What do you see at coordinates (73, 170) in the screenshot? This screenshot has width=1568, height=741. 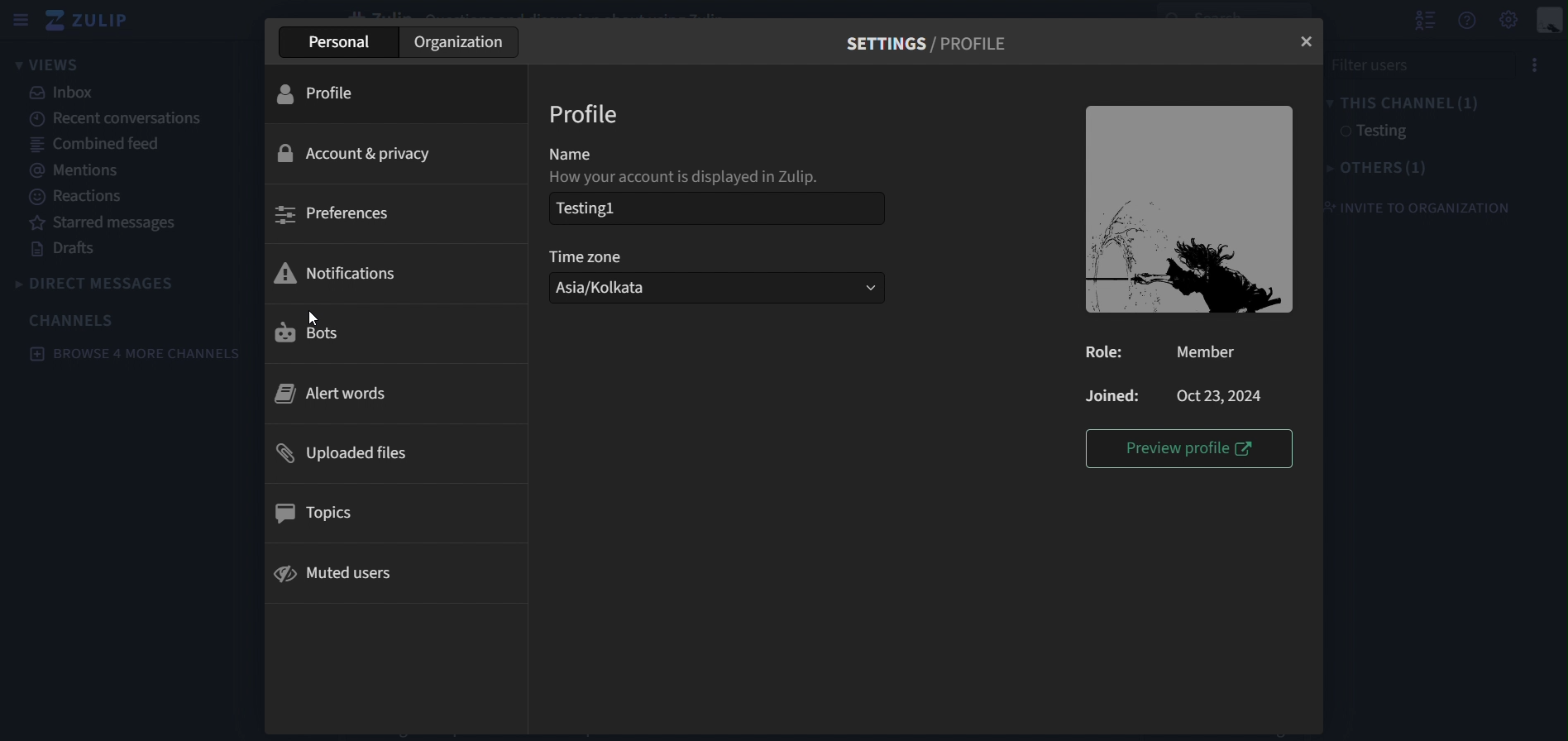 I see `mentions` at bounding box center [73, 170].